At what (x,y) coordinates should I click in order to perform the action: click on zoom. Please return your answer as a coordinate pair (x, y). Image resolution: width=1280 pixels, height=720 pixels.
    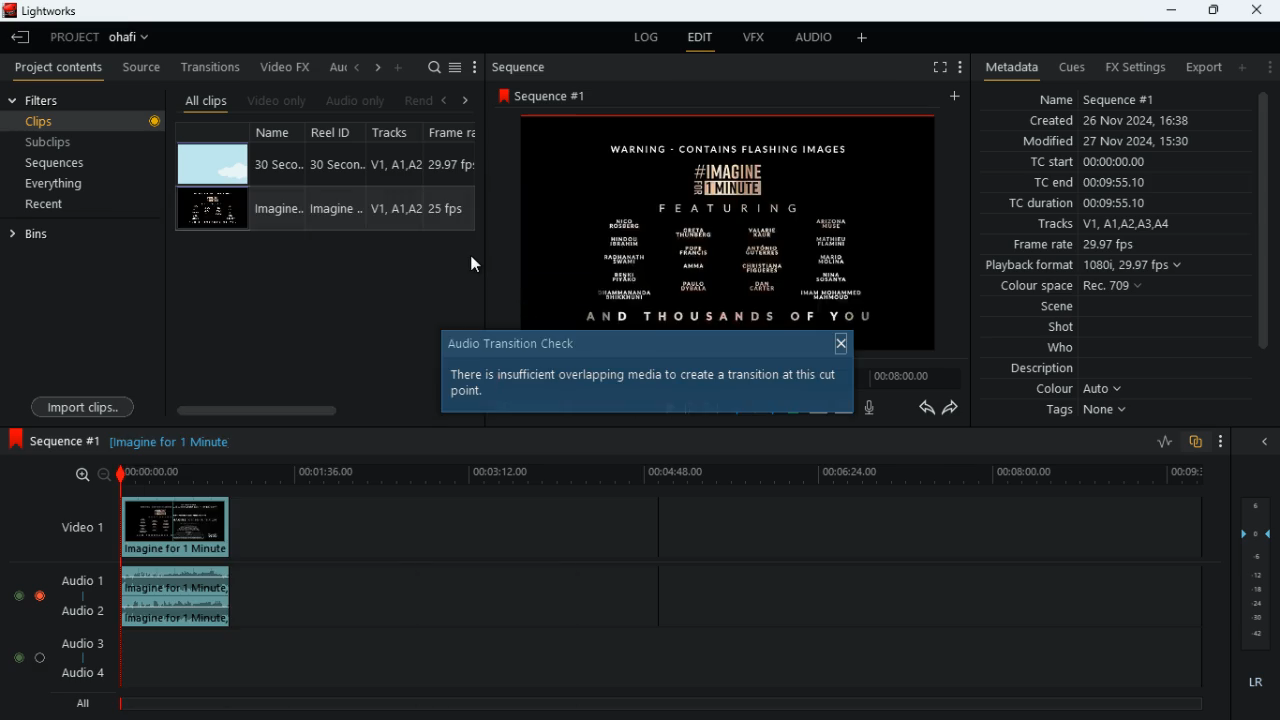
    Looking at the image, I should click on (85, 475).